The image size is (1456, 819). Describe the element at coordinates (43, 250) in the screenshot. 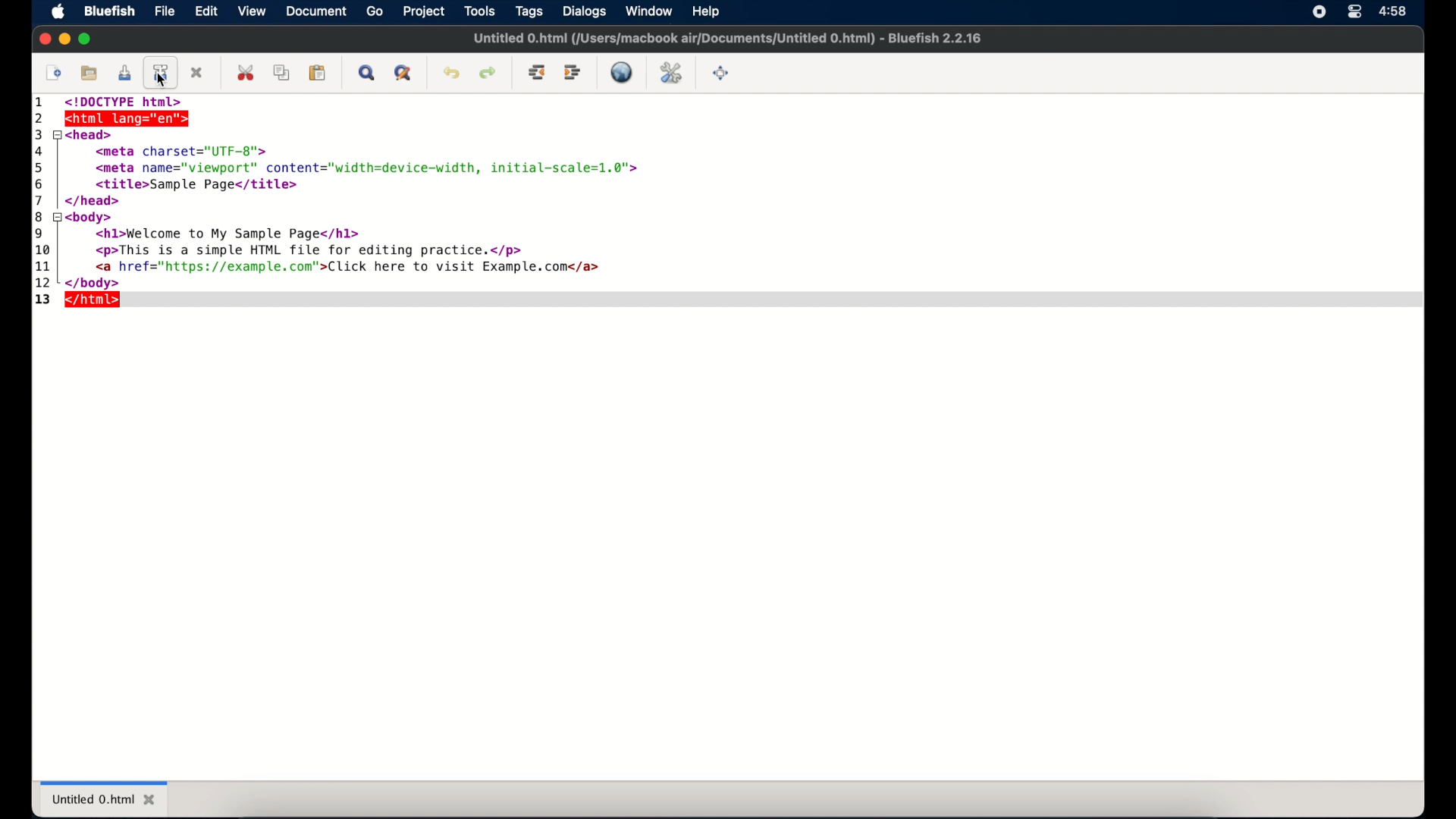

I see `10` at that location.